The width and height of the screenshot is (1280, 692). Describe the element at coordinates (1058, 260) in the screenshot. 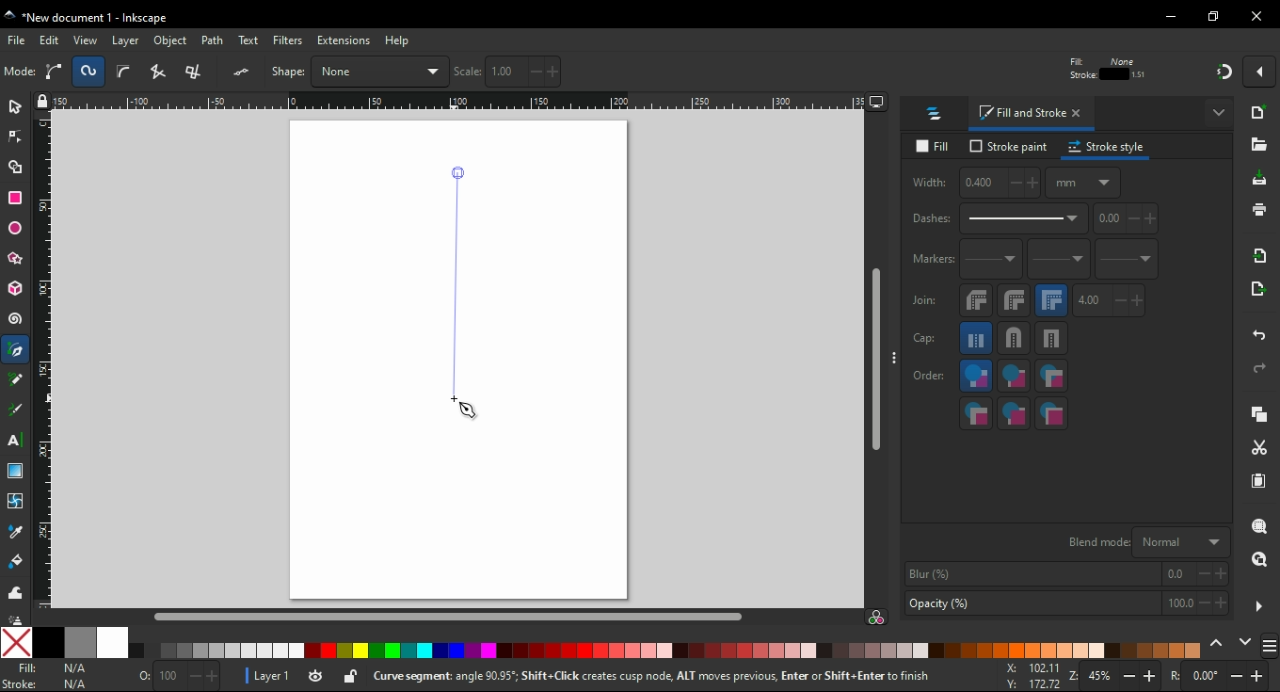

I see `mid markers` at that location.